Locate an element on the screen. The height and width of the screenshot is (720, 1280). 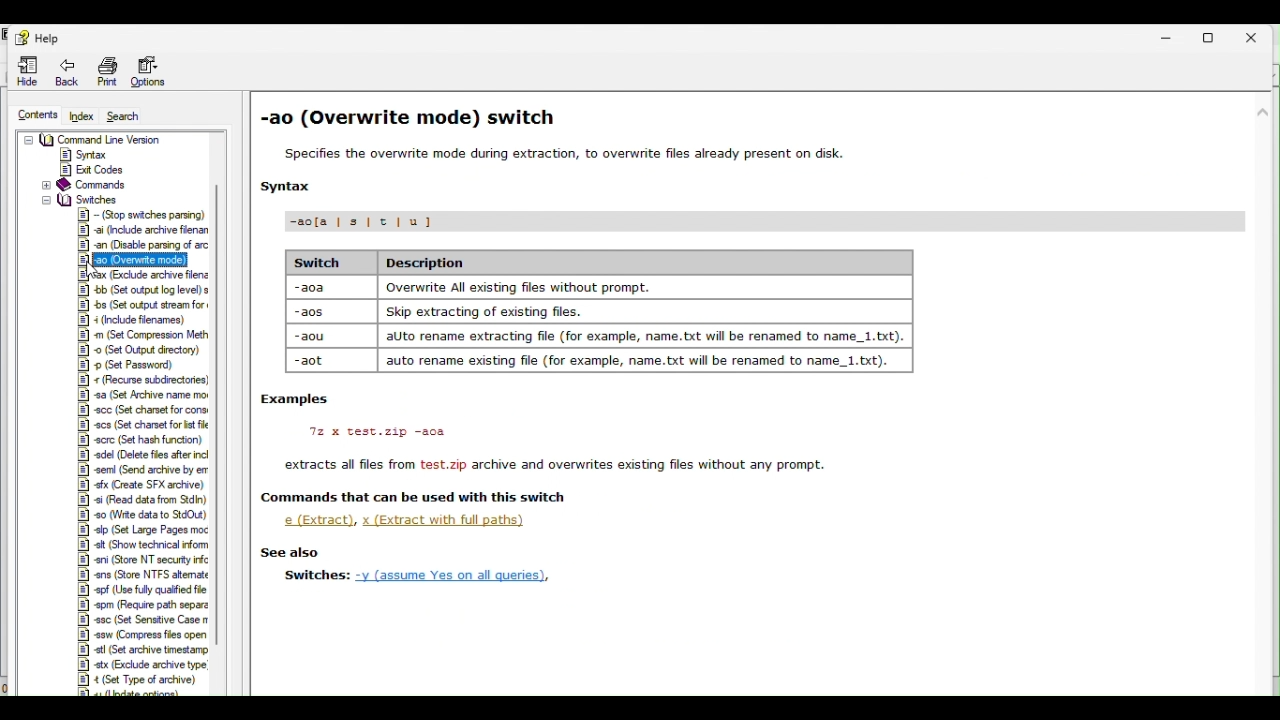
|#] spf (Use fully qualified file is located at coordinates (143, 589).